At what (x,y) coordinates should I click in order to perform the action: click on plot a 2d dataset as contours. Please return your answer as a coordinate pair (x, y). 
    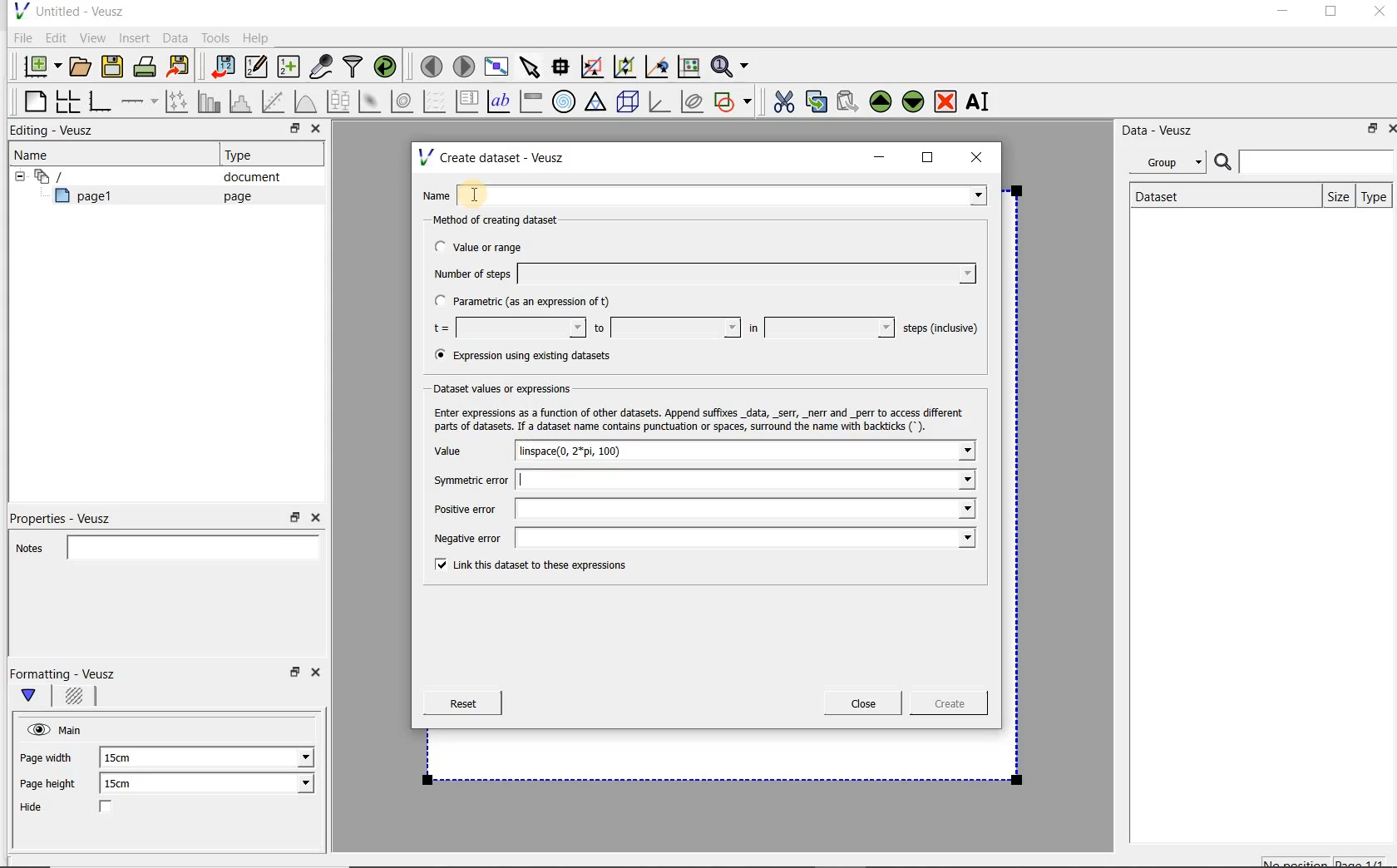
    Looking at the image, I should click on (403, 101).